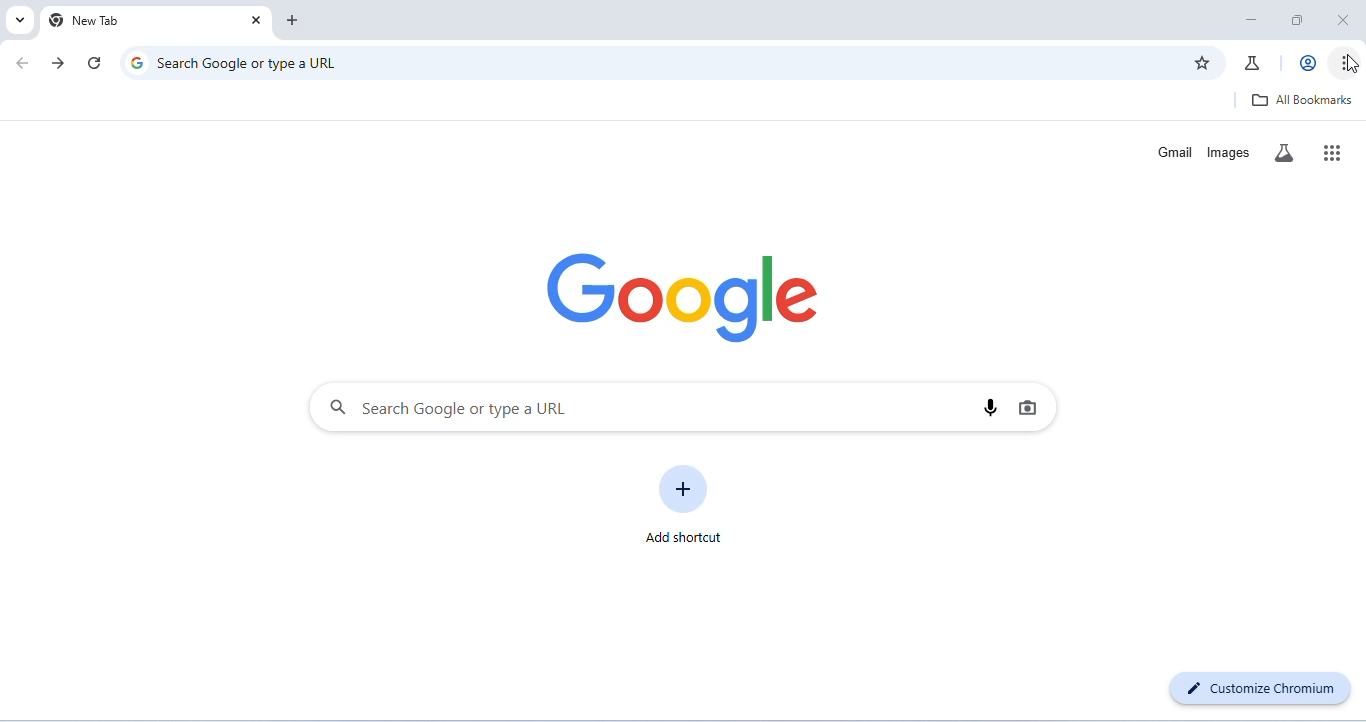 The height and width of the screenshot is (722, 1366). I want to click on cursor, so click(1353, 64).